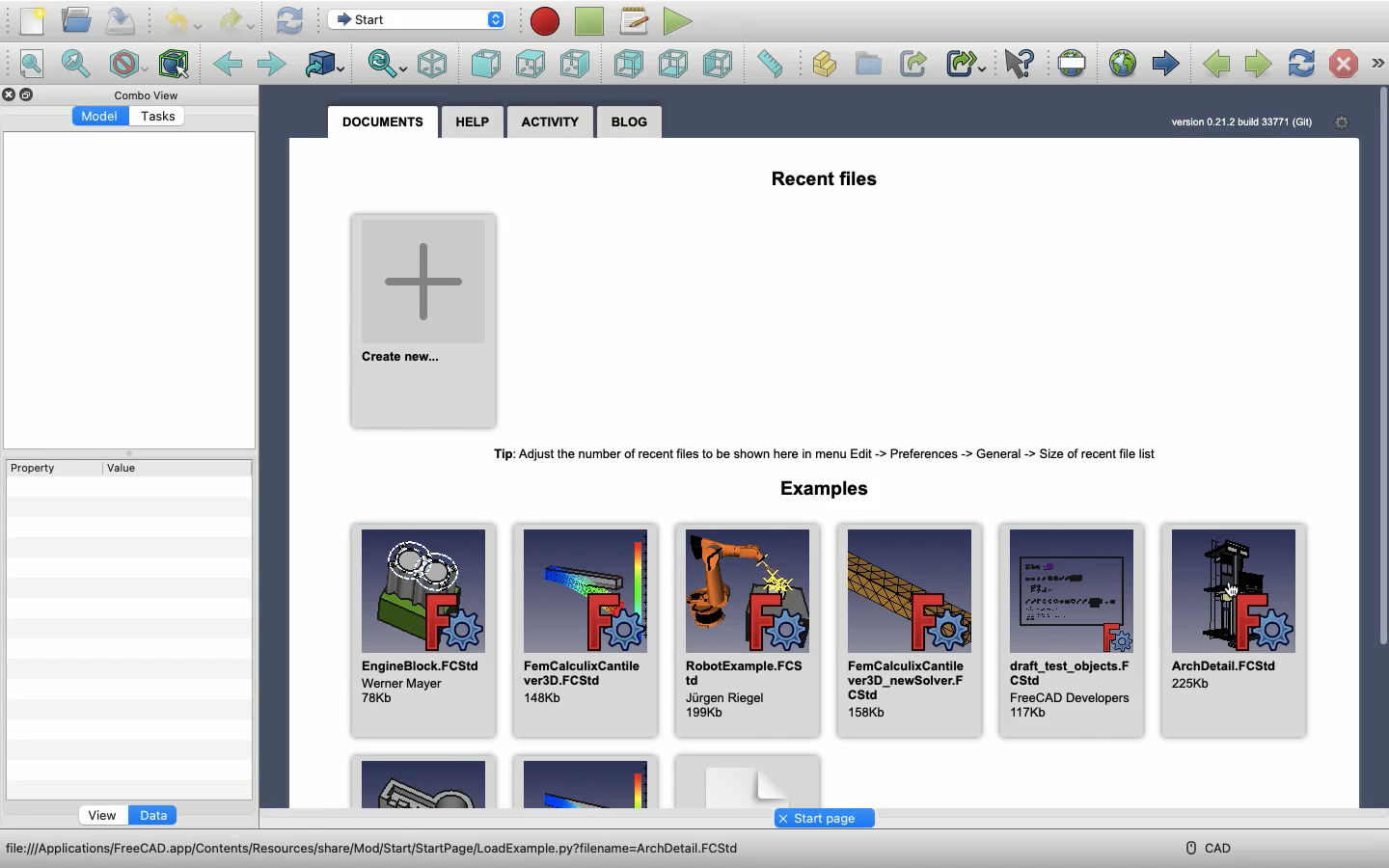  Describe the element at coordinates (172, 64) in the screenshot. I see `Bounding box` at that location.